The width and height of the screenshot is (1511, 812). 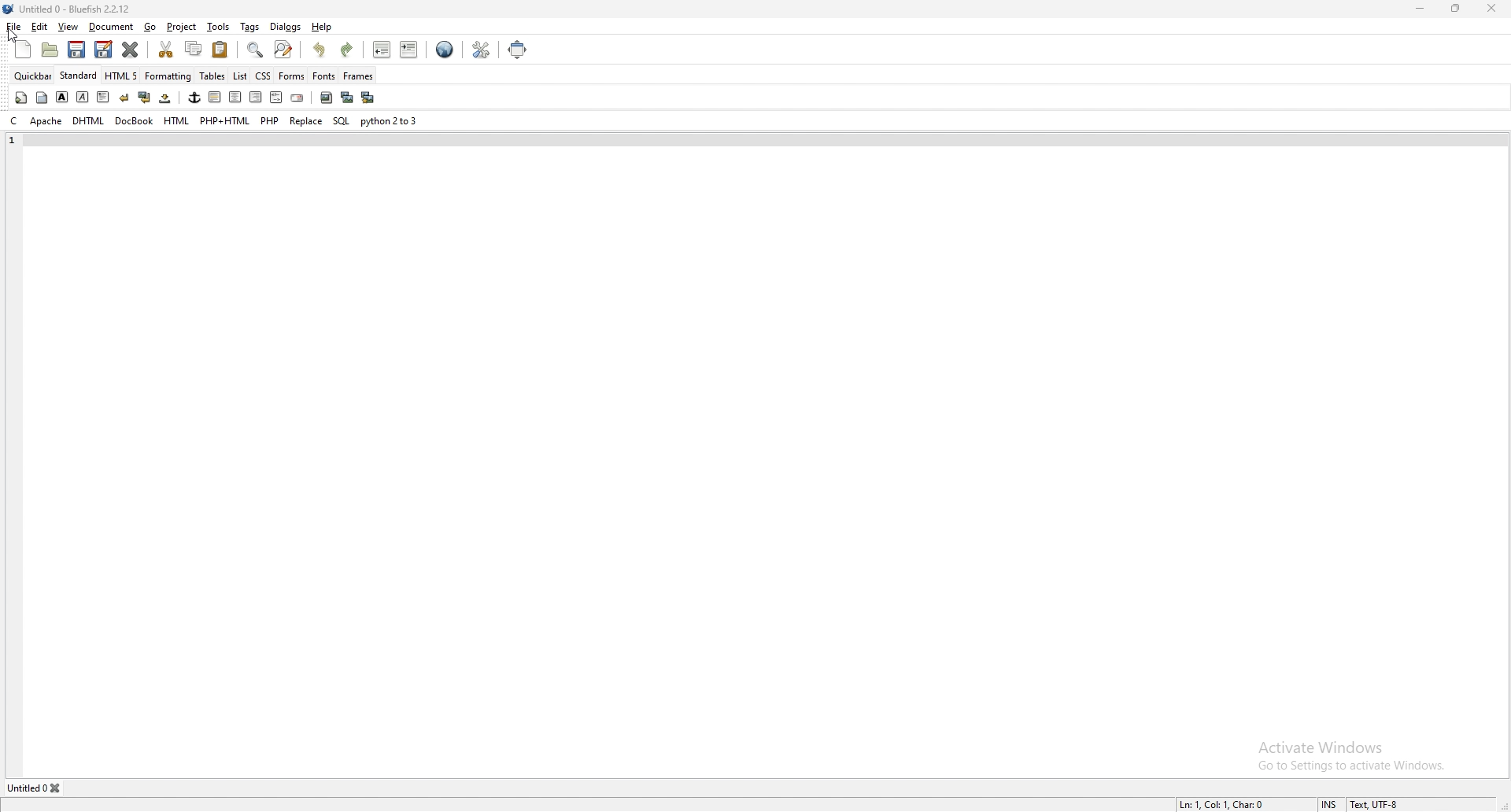 I want to click on show find bar, so click(x=257, y=50).